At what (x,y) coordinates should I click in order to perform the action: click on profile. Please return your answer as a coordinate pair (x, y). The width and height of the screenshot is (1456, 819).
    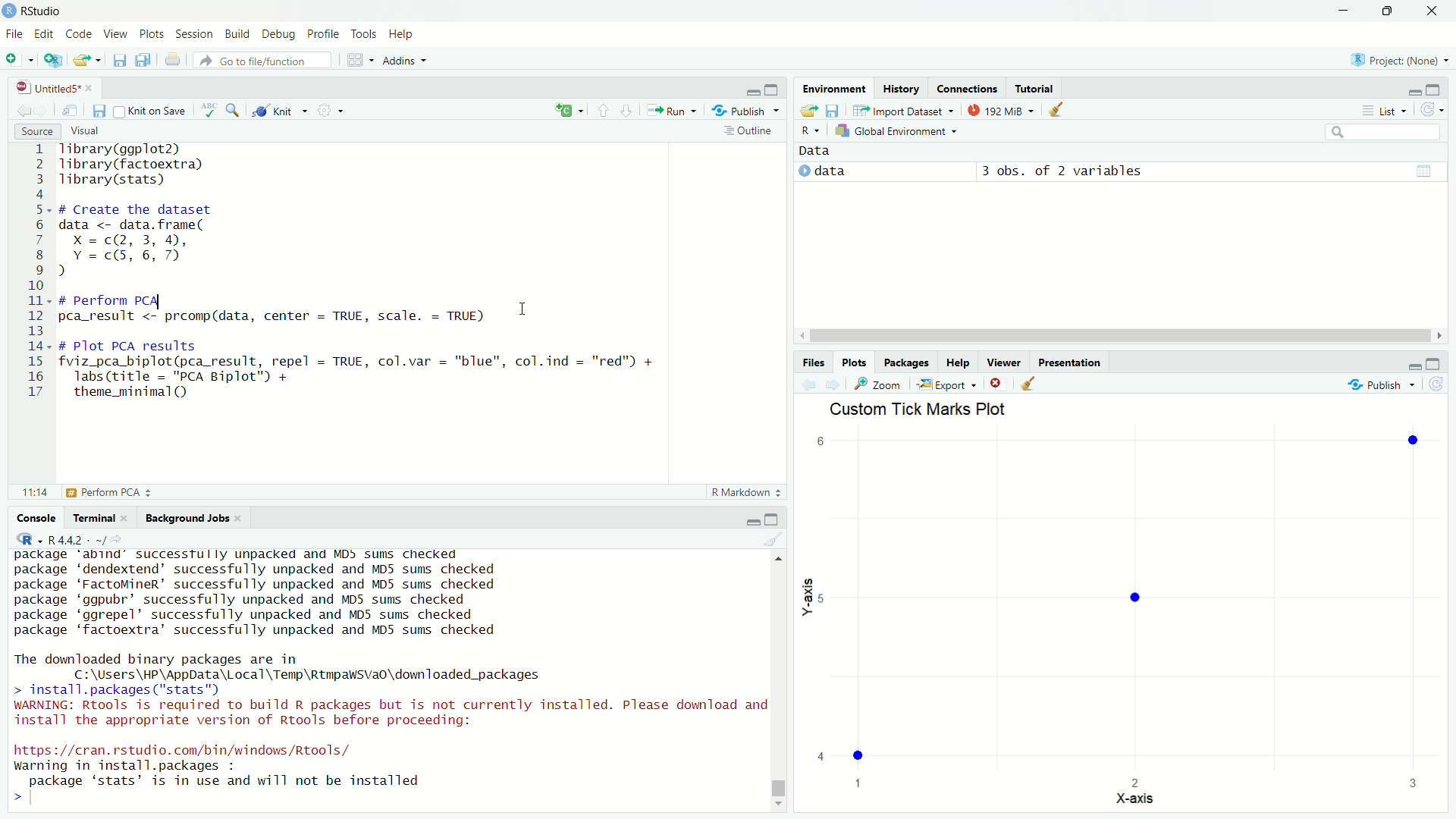
    Looking at the image, I should click on (325, 35).